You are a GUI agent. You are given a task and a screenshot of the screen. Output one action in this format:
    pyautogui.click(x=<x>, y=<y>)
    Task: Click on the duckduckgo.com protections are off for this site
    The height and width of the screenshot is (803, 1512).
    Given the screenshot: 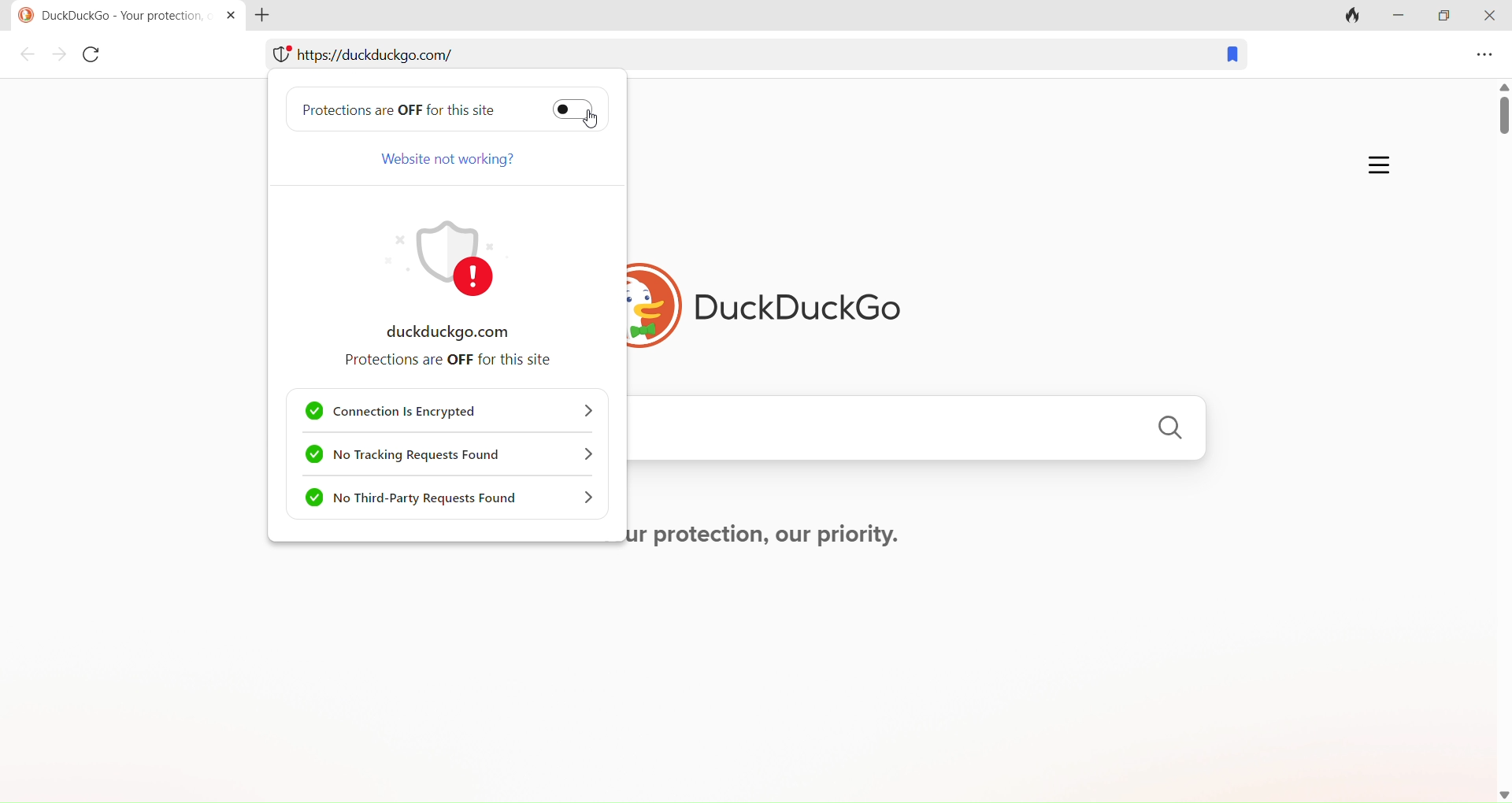 What is the action you would take?
    pyautogui.click(x=460, y=290)
    